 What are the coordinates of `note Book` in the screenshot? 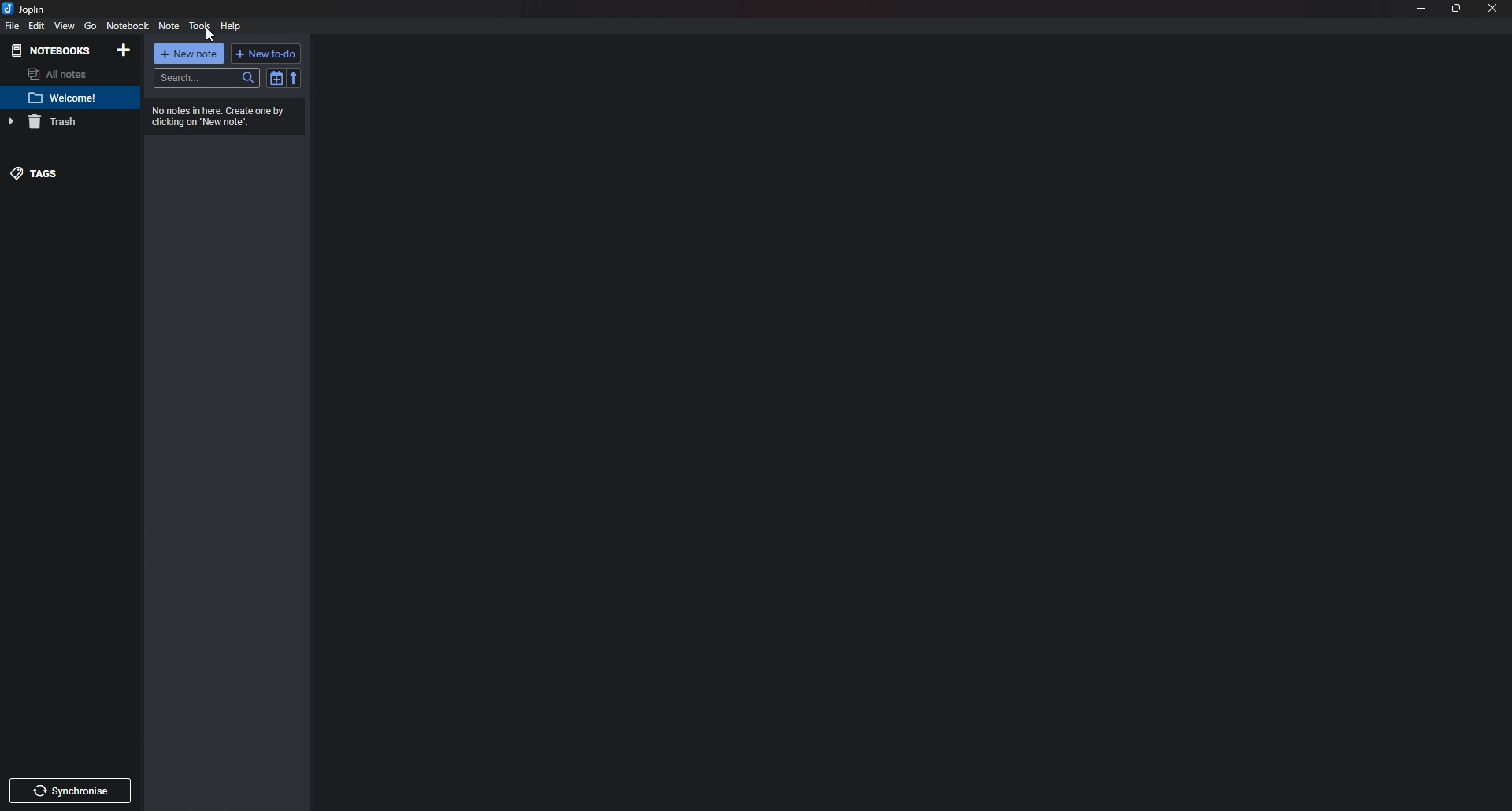 It's located at (128, 25).